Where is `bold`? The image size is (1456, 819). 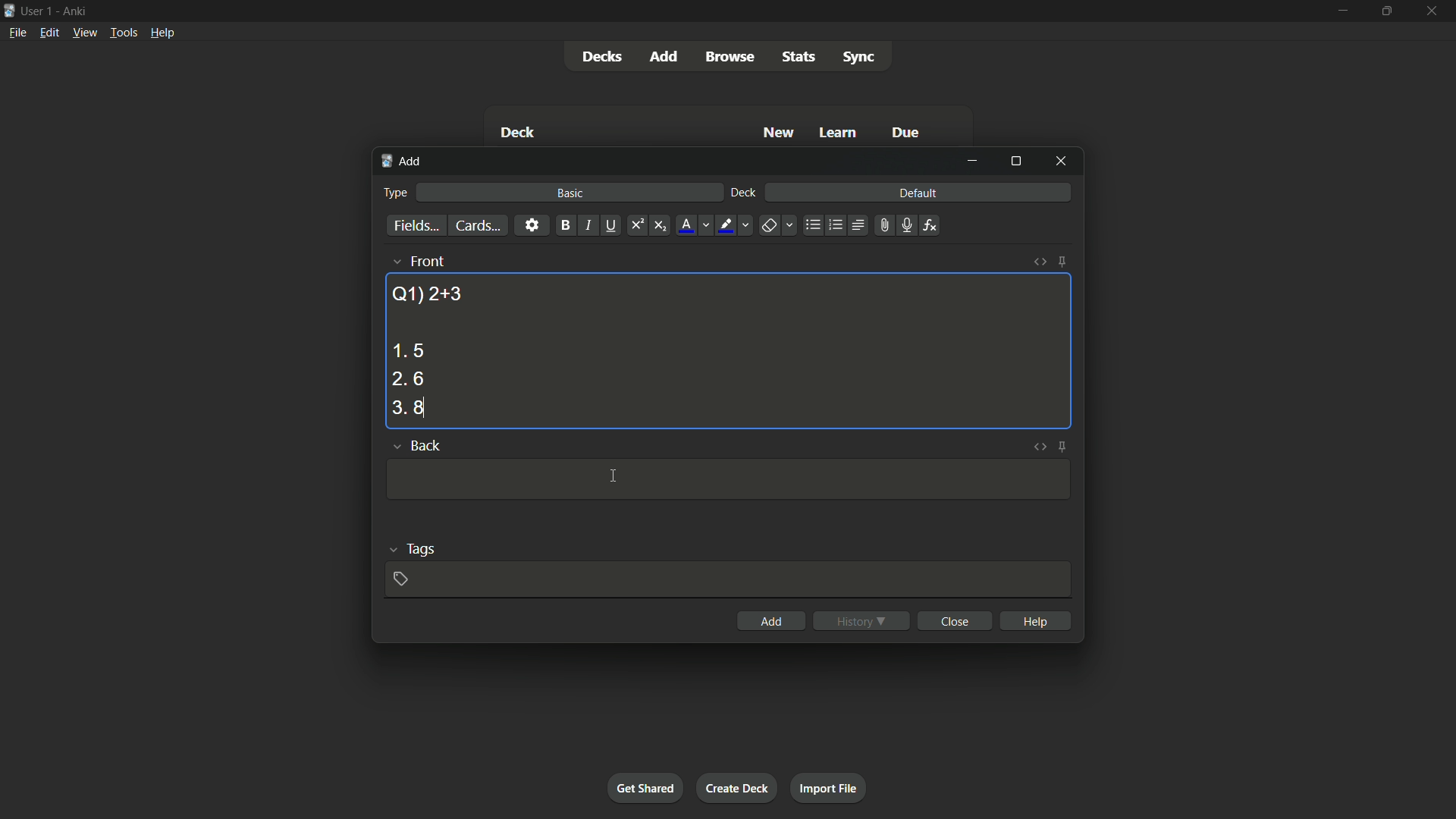 bold is located at coordinates (565, 226).